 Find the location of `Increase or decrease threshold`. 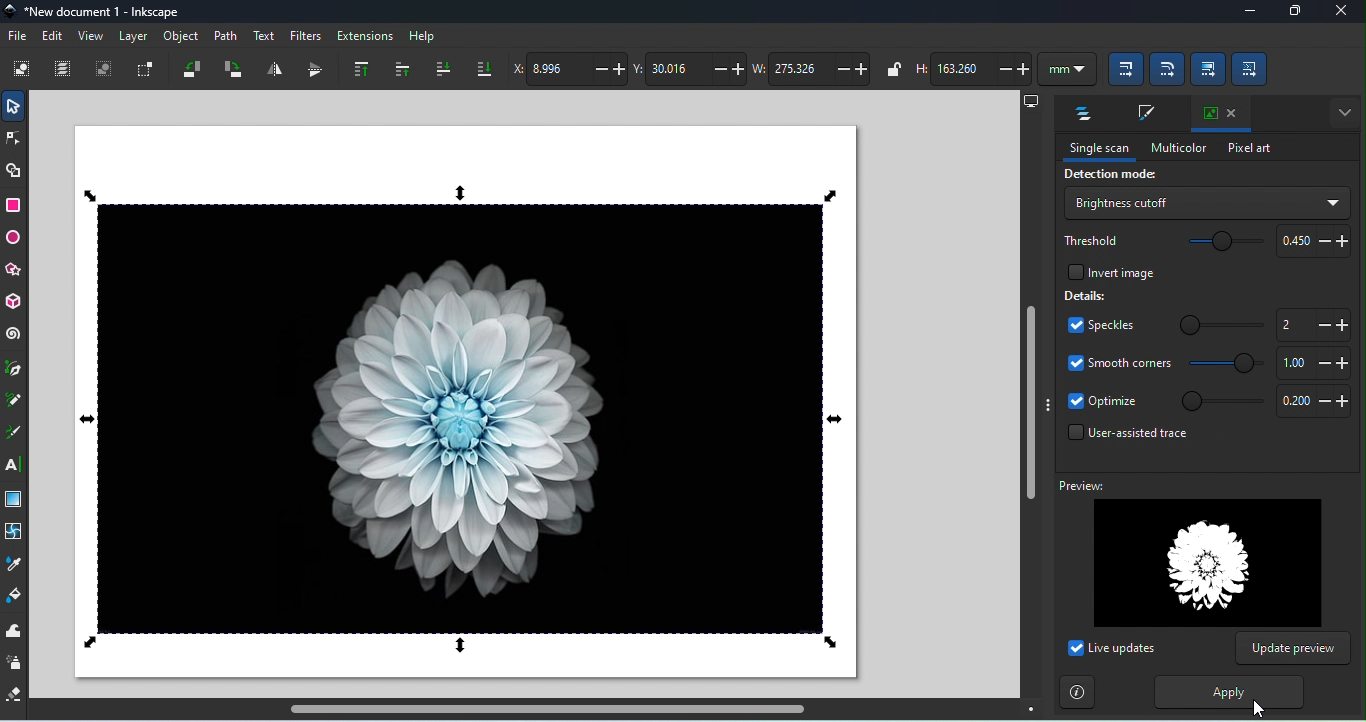

Increase or decrease threshold is located at coordinates (1311, 241).